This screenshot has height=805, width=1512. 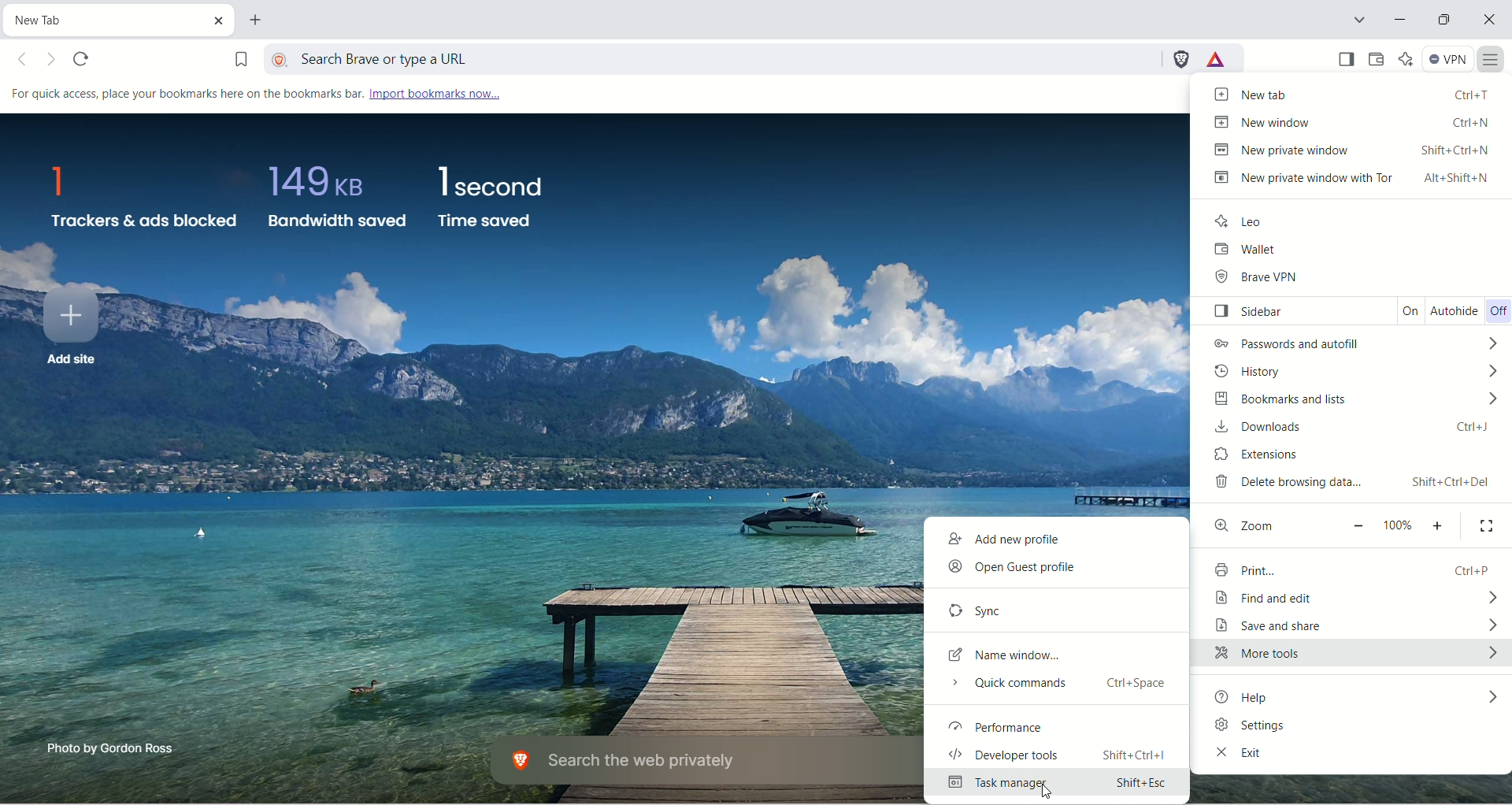 What do you see at coordinates (1357, 658) in the screenshot?
I see `more tools` at bounding box center [1357, 658].